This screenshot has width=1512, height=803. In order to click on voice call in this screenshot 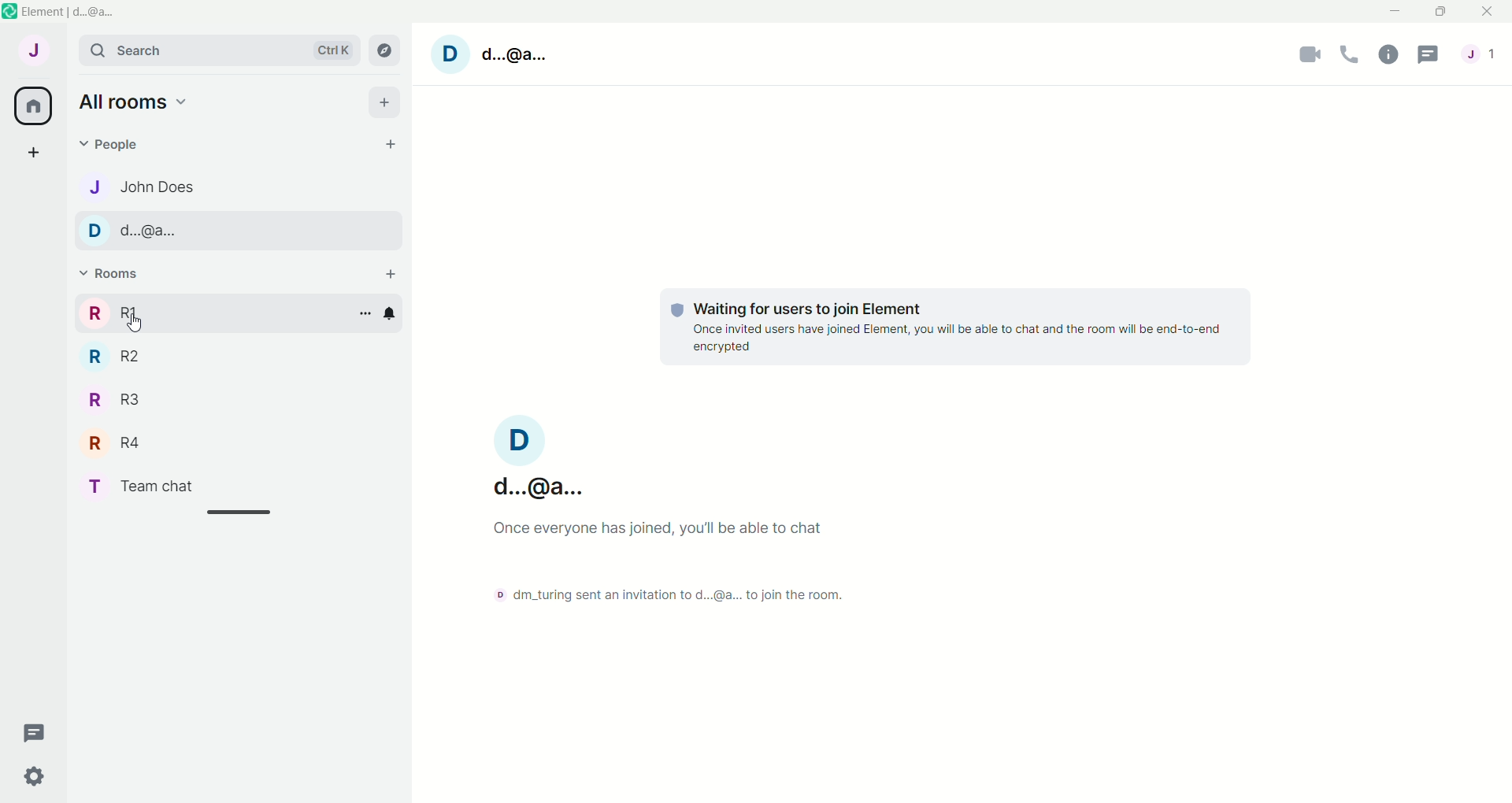, I will do `click(1350, 55)`.